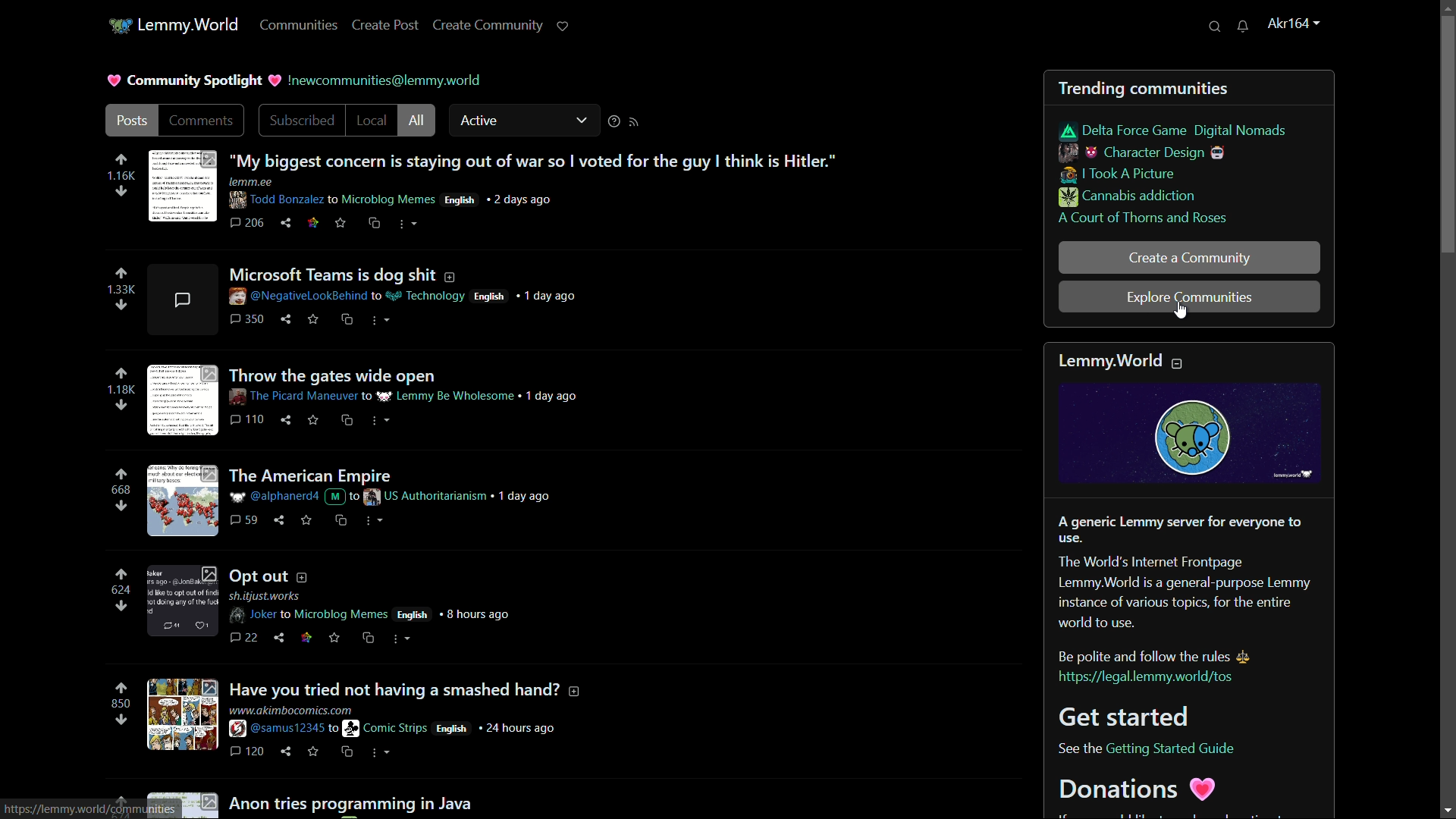 This screenshot has height=819, width=1456. I want to click on active, so click(524, 121).